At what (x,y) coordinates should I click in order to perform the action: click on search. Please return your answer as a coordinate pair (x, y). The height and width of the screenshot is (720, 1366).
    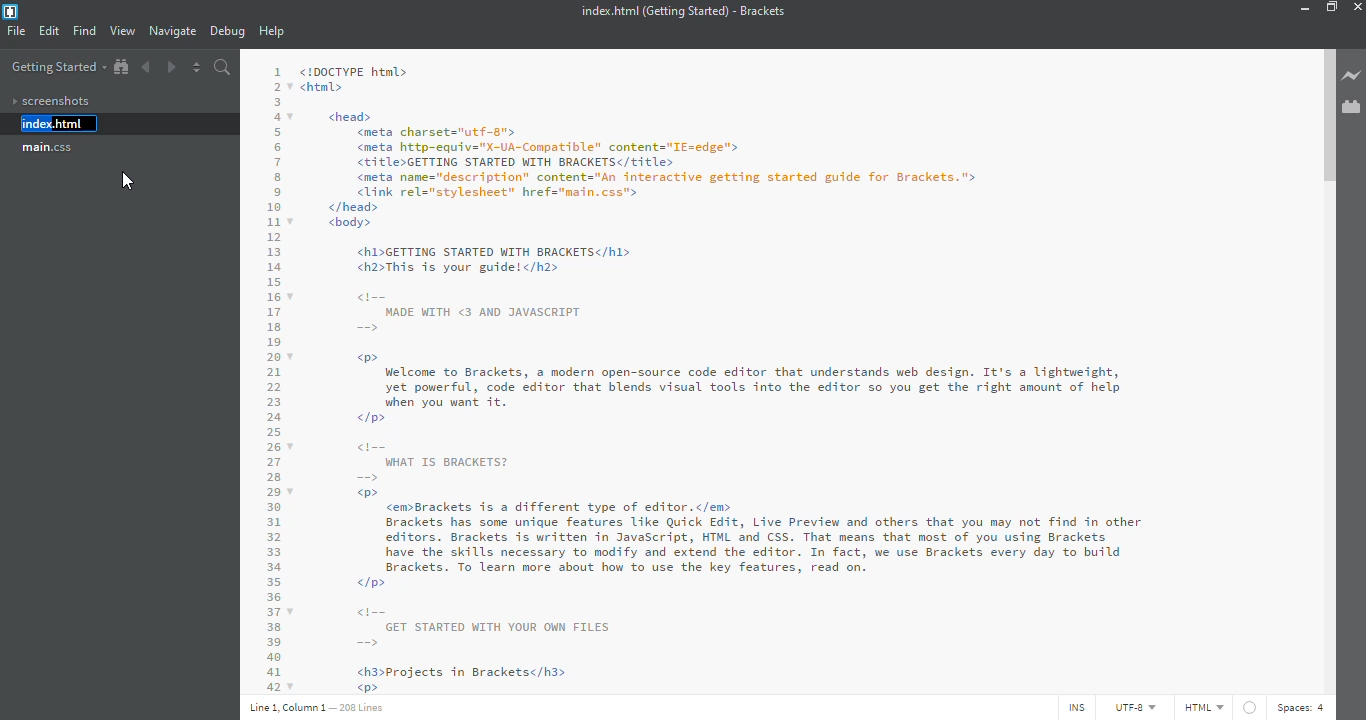
    Looking at the image, I should click on (223, 67).